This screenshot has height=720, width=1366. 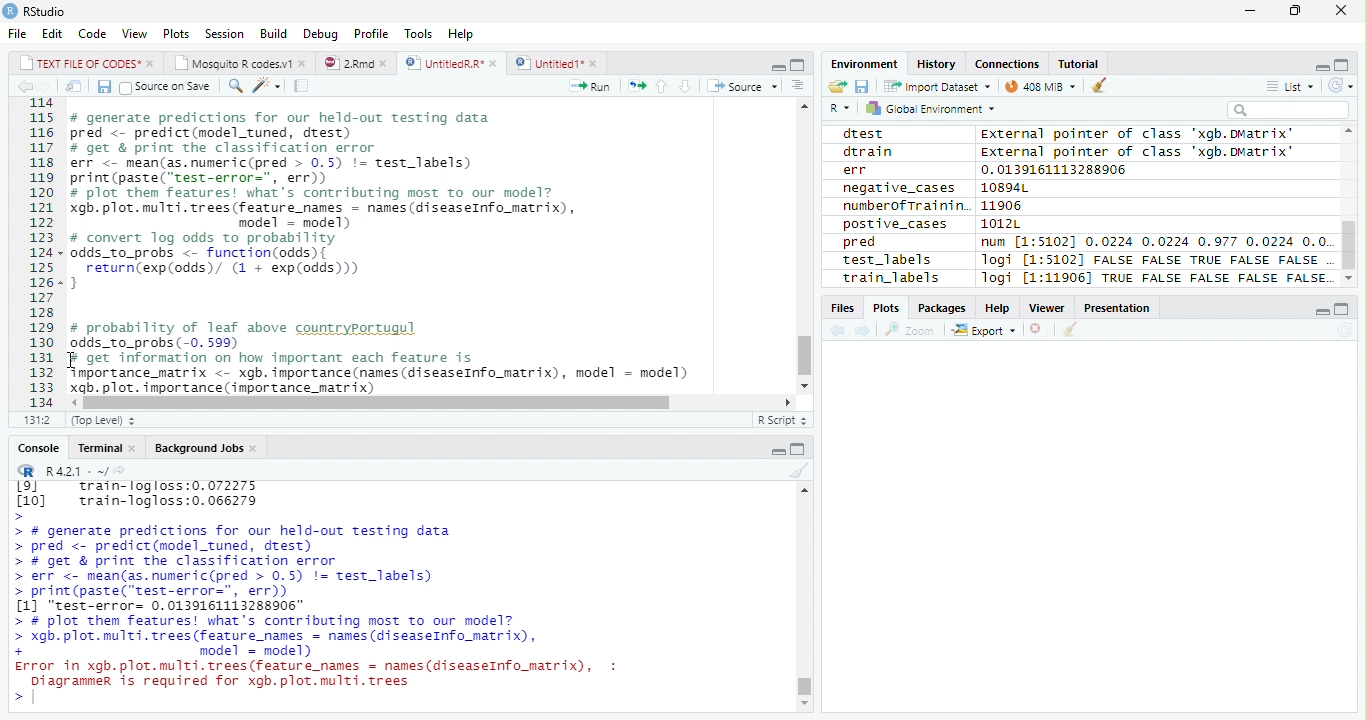 I want to click on negative_cases, so click(x=900, y=188).